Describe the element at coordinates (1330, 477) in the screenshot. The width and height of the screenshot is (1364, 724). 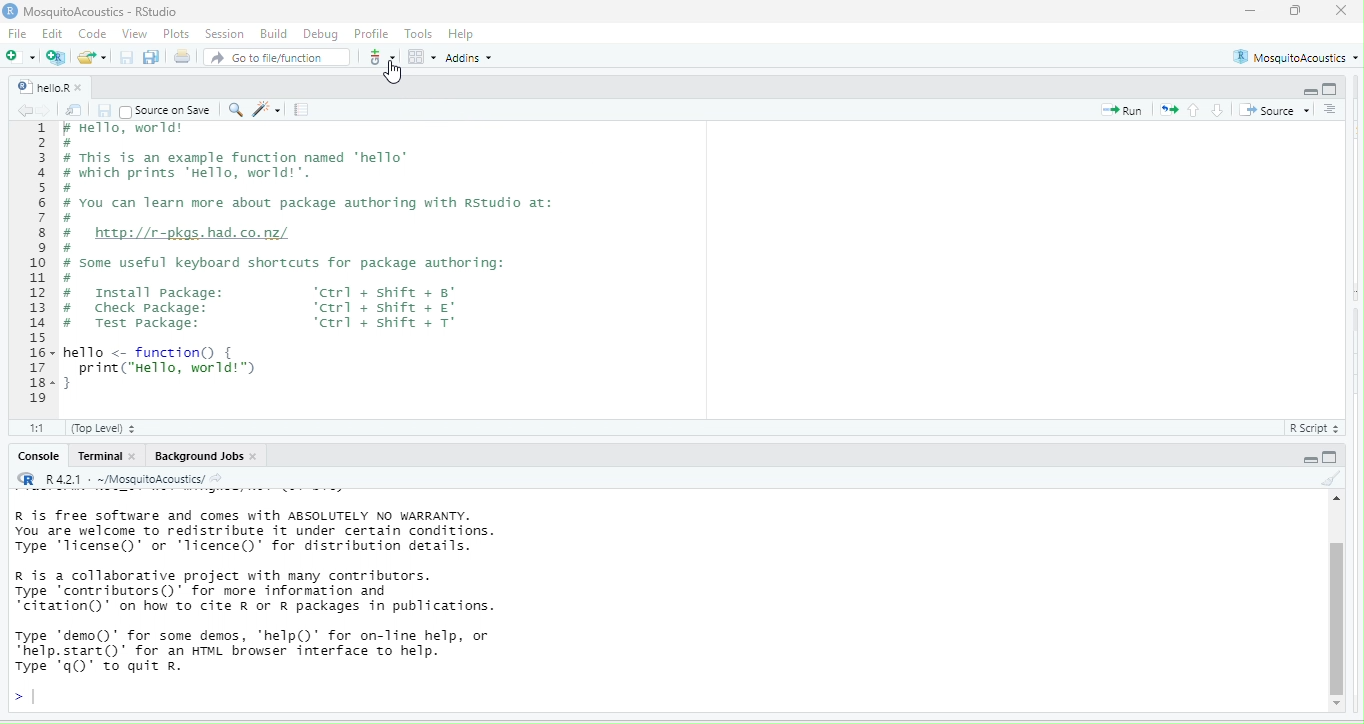
I see `clear console` at that location.